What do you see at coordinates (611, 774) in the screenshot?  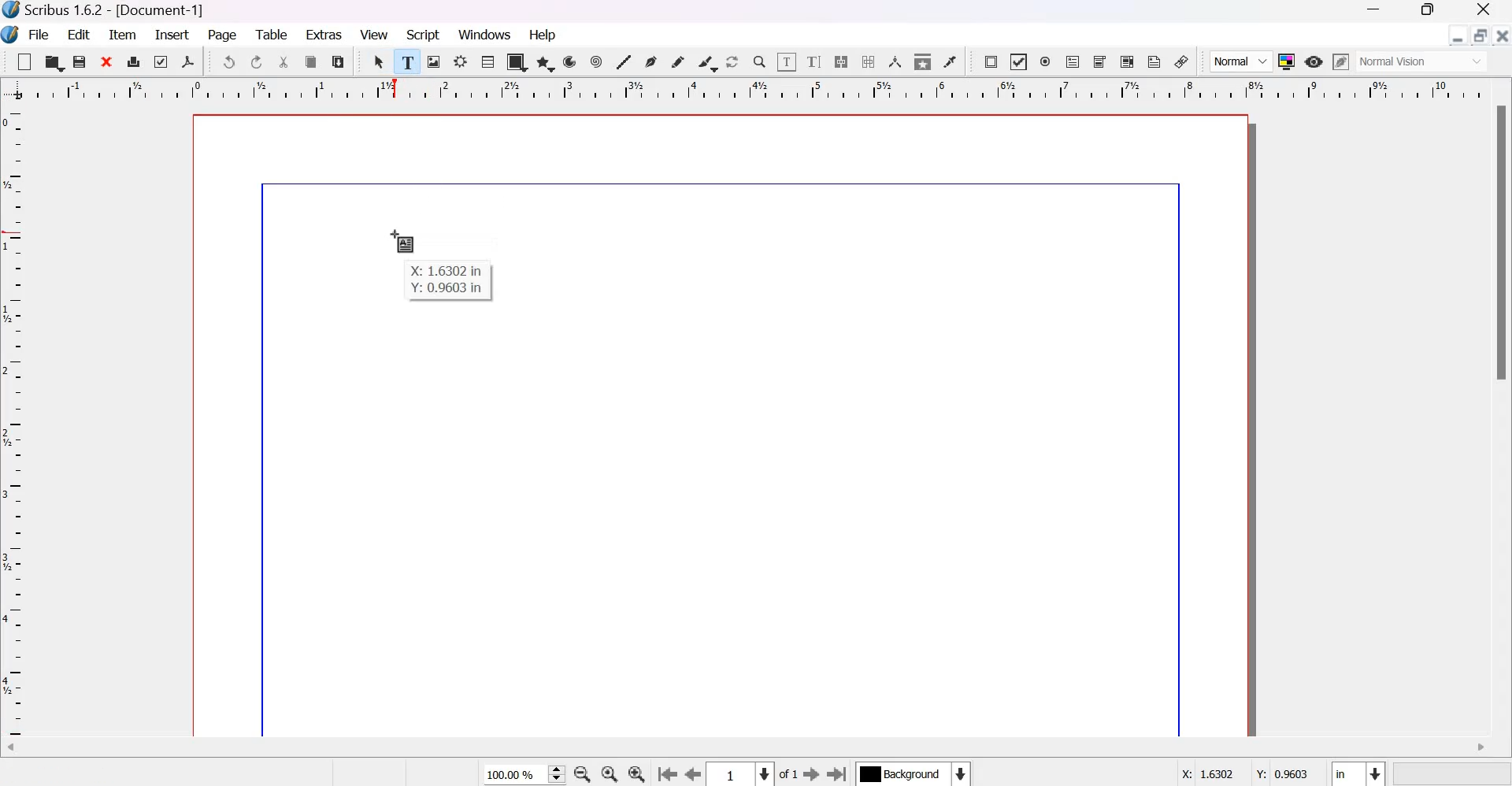 I see `zoom to 100%` at bounding box center [611, 774].